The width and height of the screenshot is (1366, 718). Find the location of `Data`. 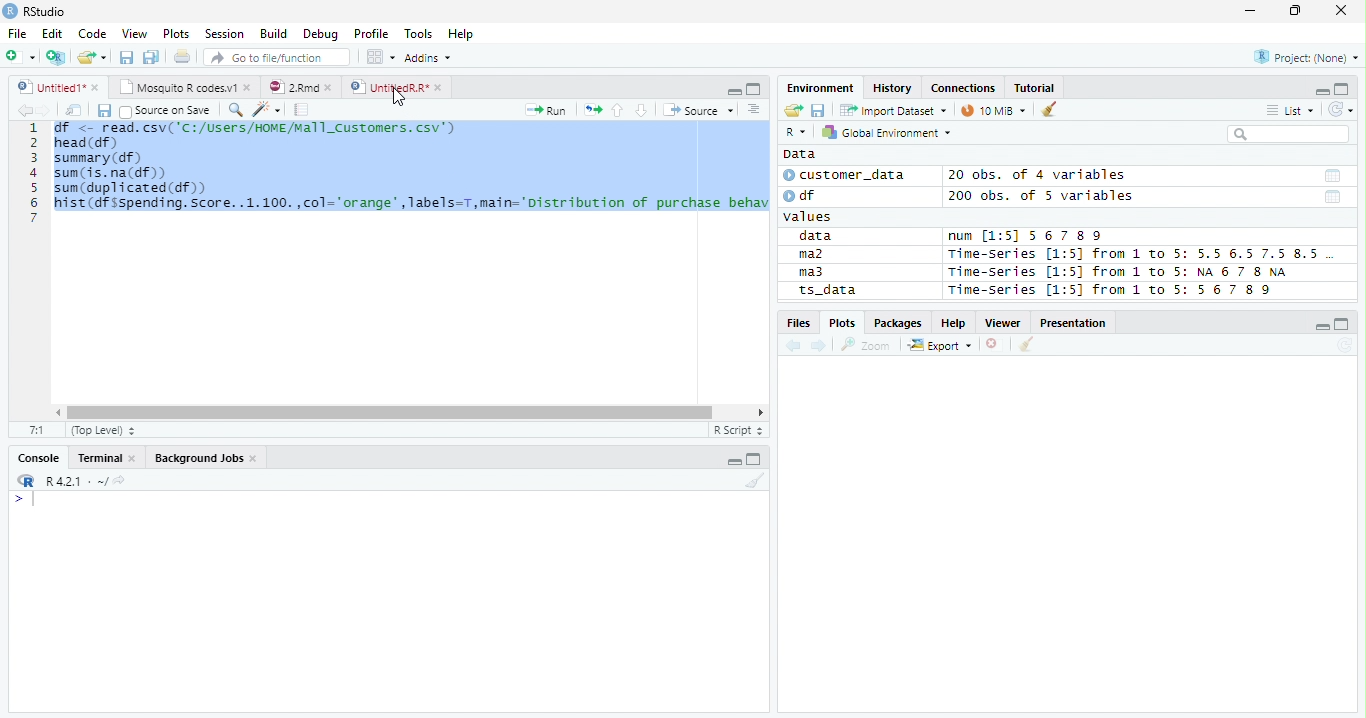

Data is located at coordinates (799, 154).